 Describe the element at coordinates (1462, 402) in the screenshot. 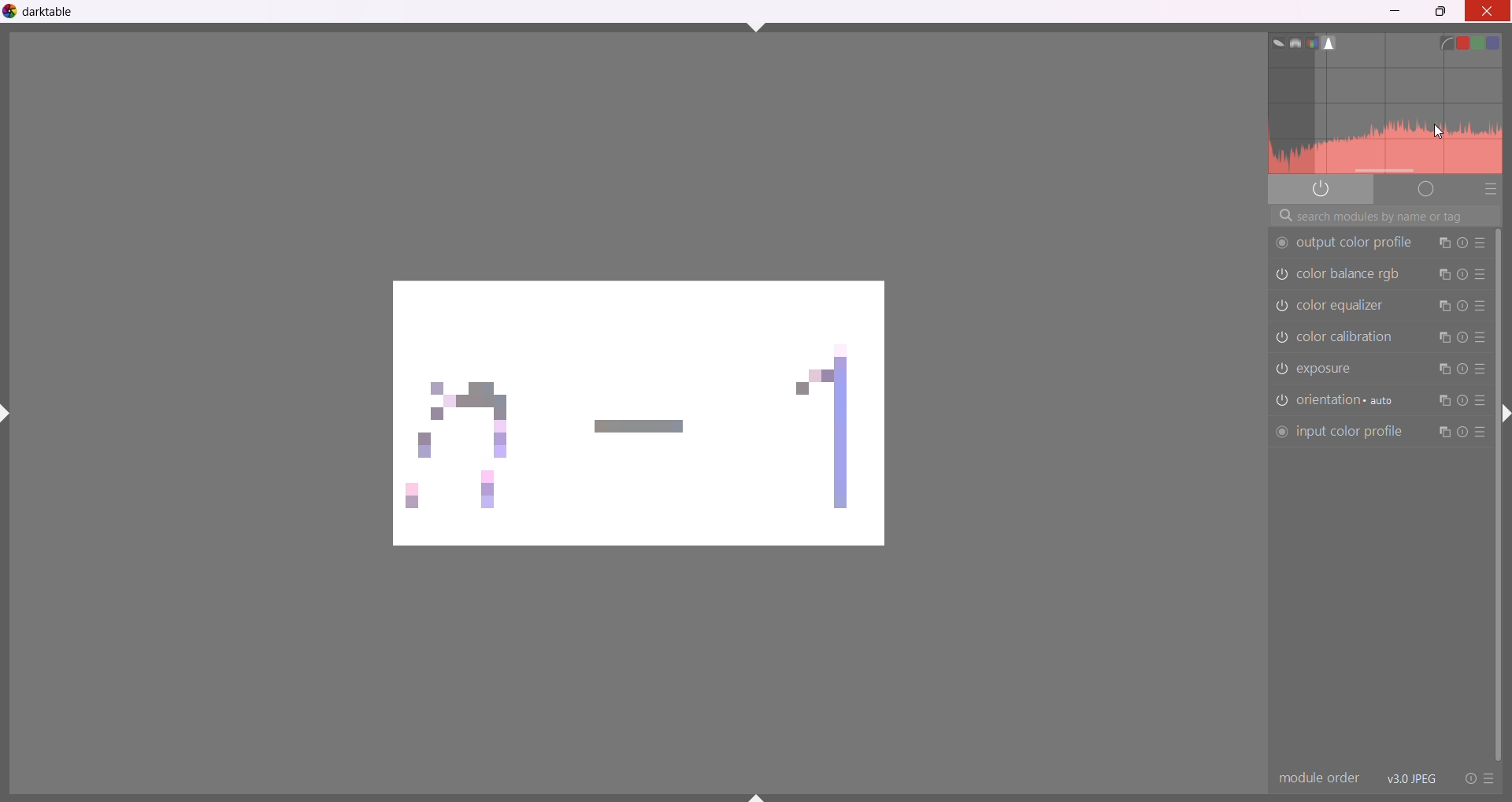

I see `reset parameters` at that location.